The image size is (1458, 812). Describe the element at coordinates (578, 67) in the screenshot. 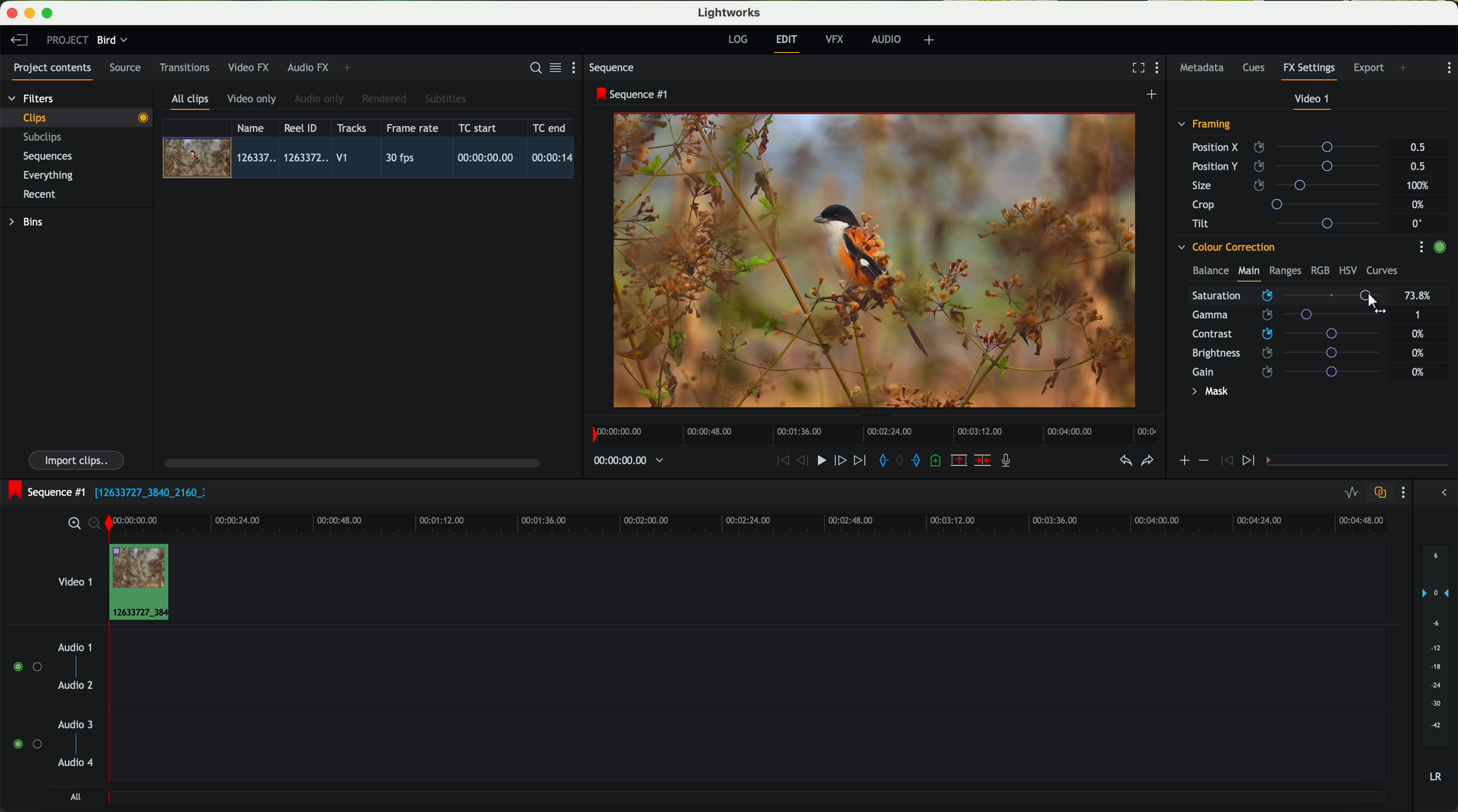

I see `show settings menu` at that location.